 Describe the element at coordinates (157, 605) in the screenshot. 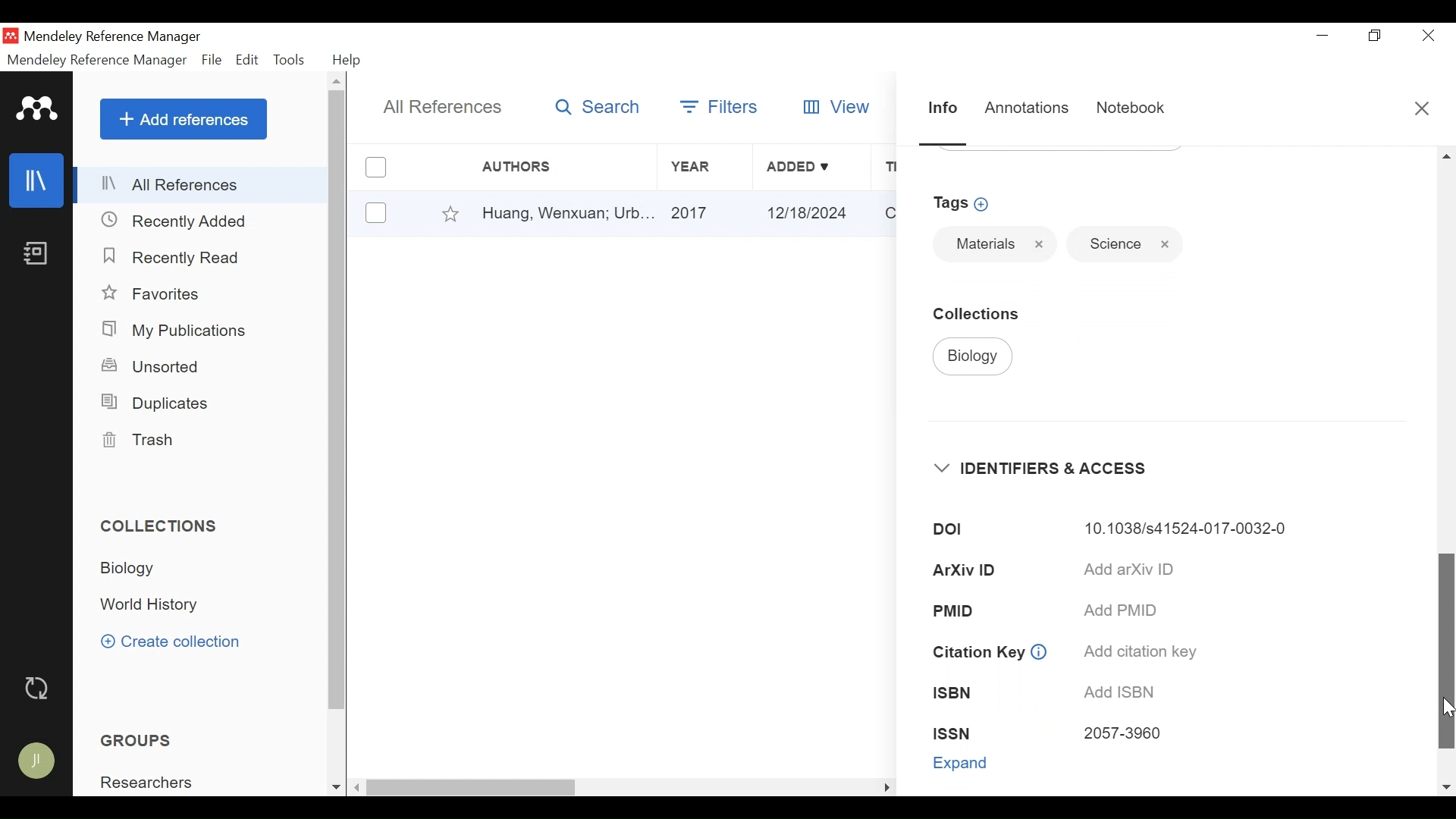

I see `Collection` at that location.